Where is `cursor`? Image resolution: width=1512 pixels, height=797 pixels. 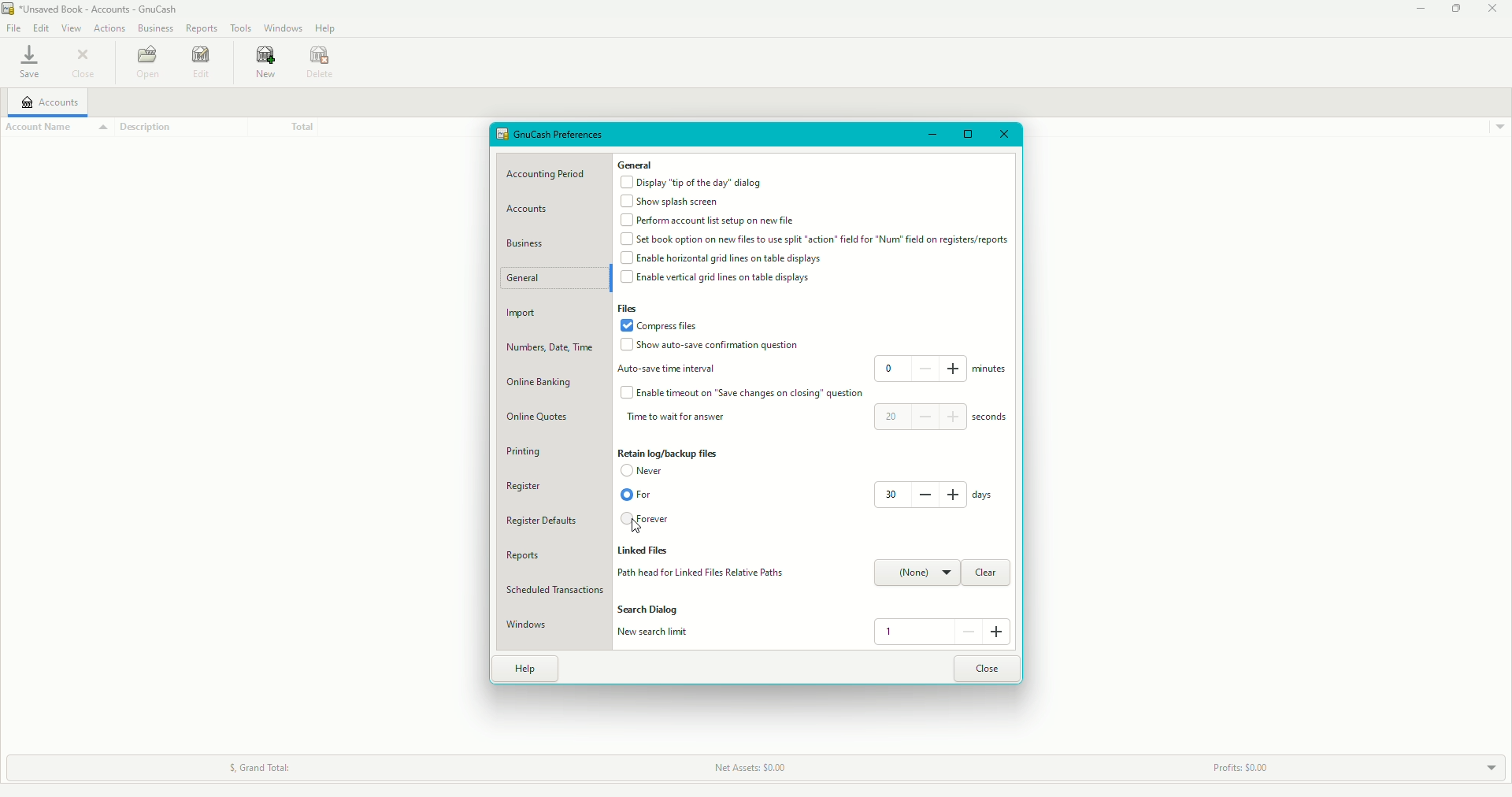
cursor is located at coordinates (638, 525).